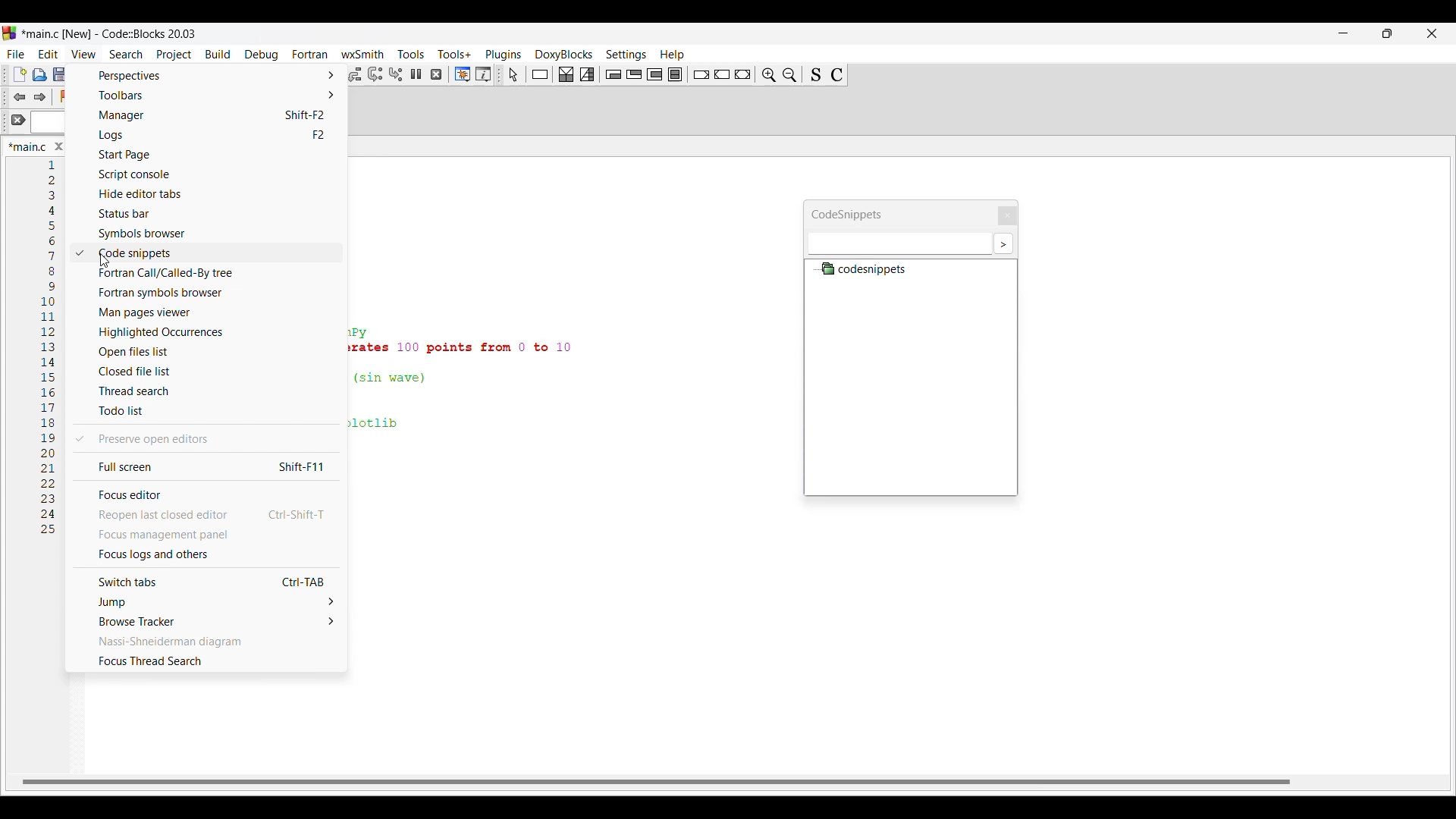 This screenshot has height=819, width=1456. I want to click on wxSmith menu, so click(362, 54).